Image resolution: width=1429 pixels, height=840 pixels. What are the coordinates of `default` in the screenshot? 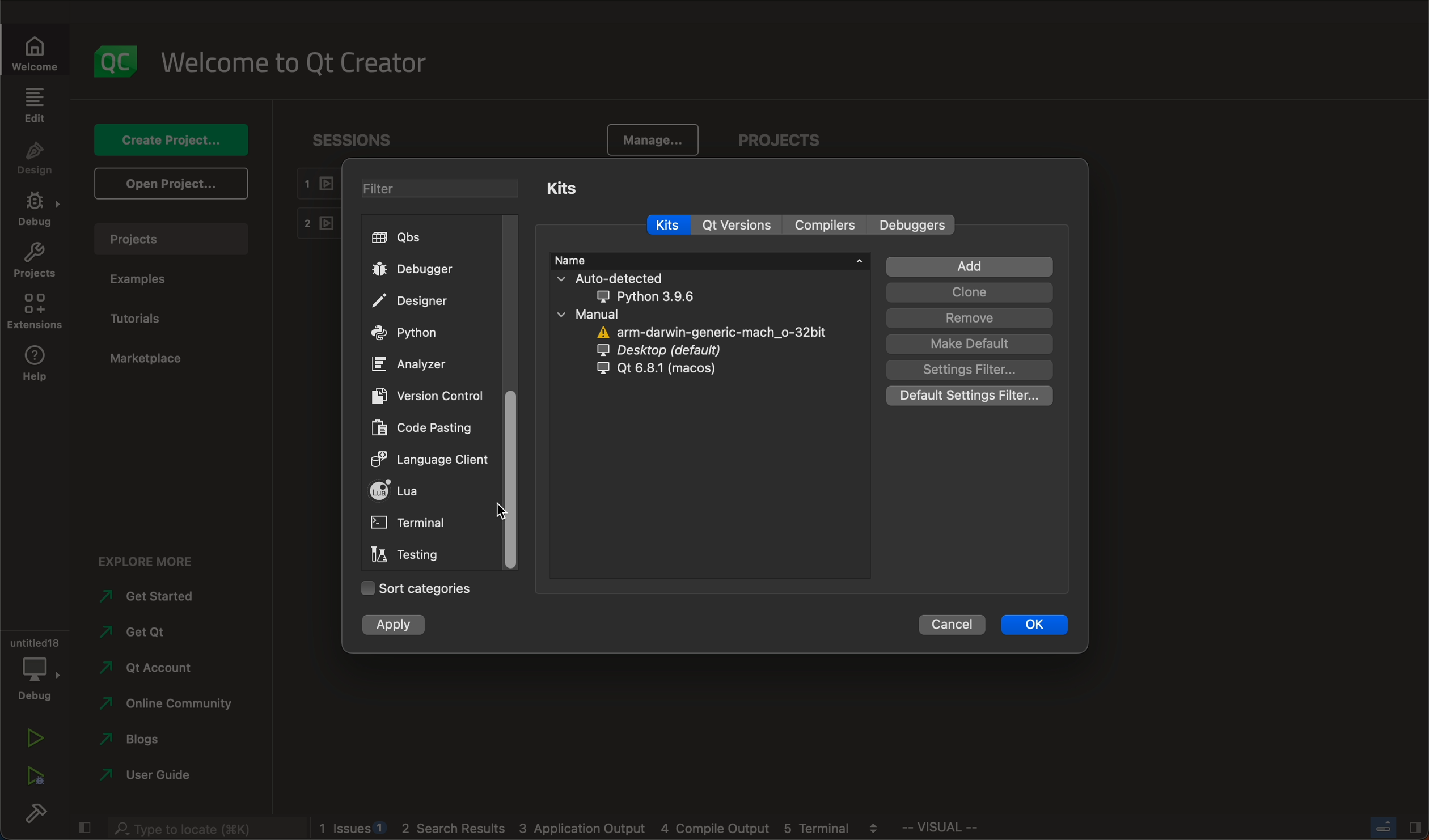 It's located at (969, 393).